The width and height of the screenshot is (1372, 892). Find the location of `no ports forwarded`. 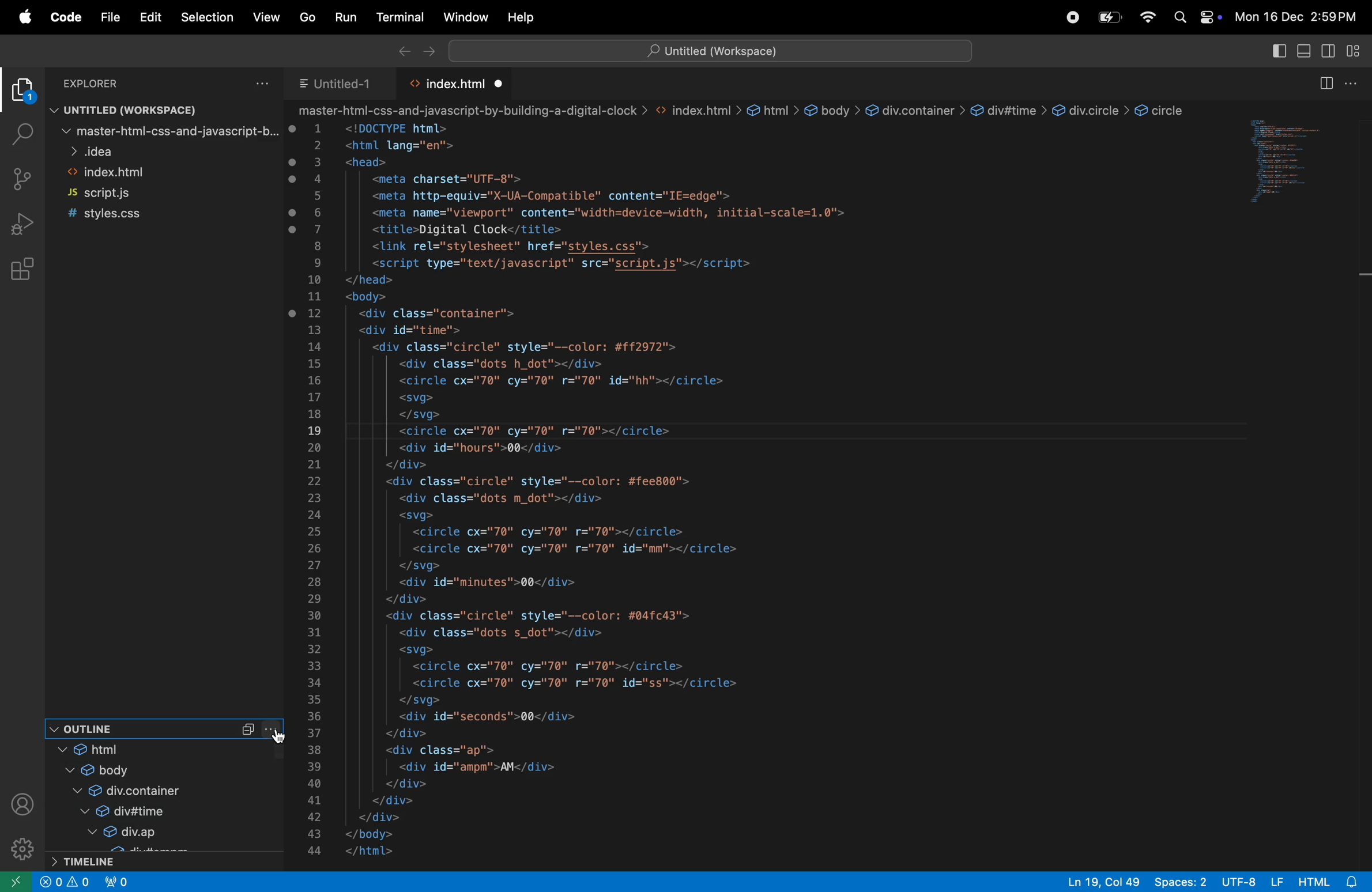

no ports forwarded is located at coordinates (118, 881).